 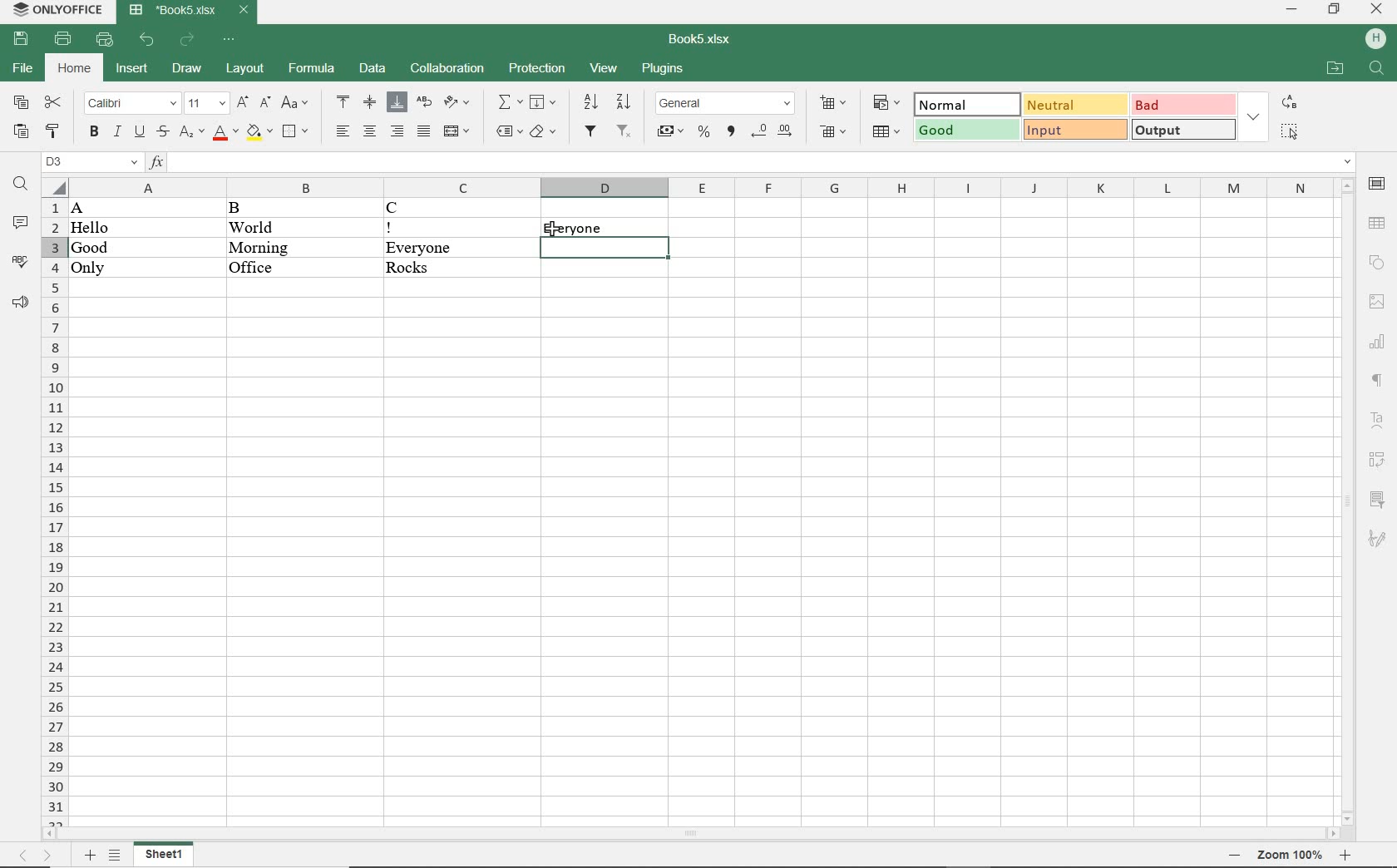 I want to click on Only, so click(x=97, y=269).